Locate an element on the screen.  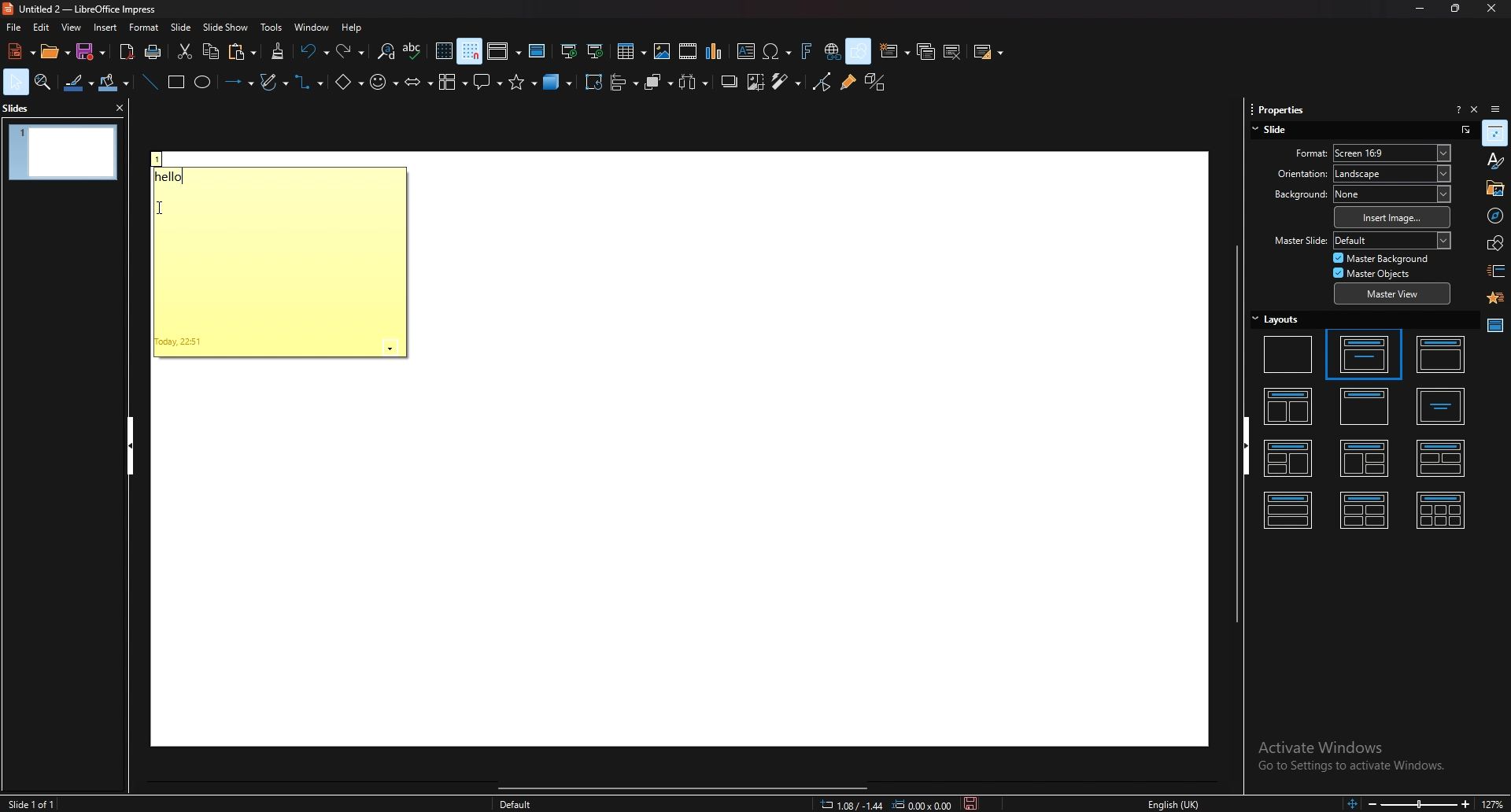
symbol shapes is located at coordinates (385, 82).